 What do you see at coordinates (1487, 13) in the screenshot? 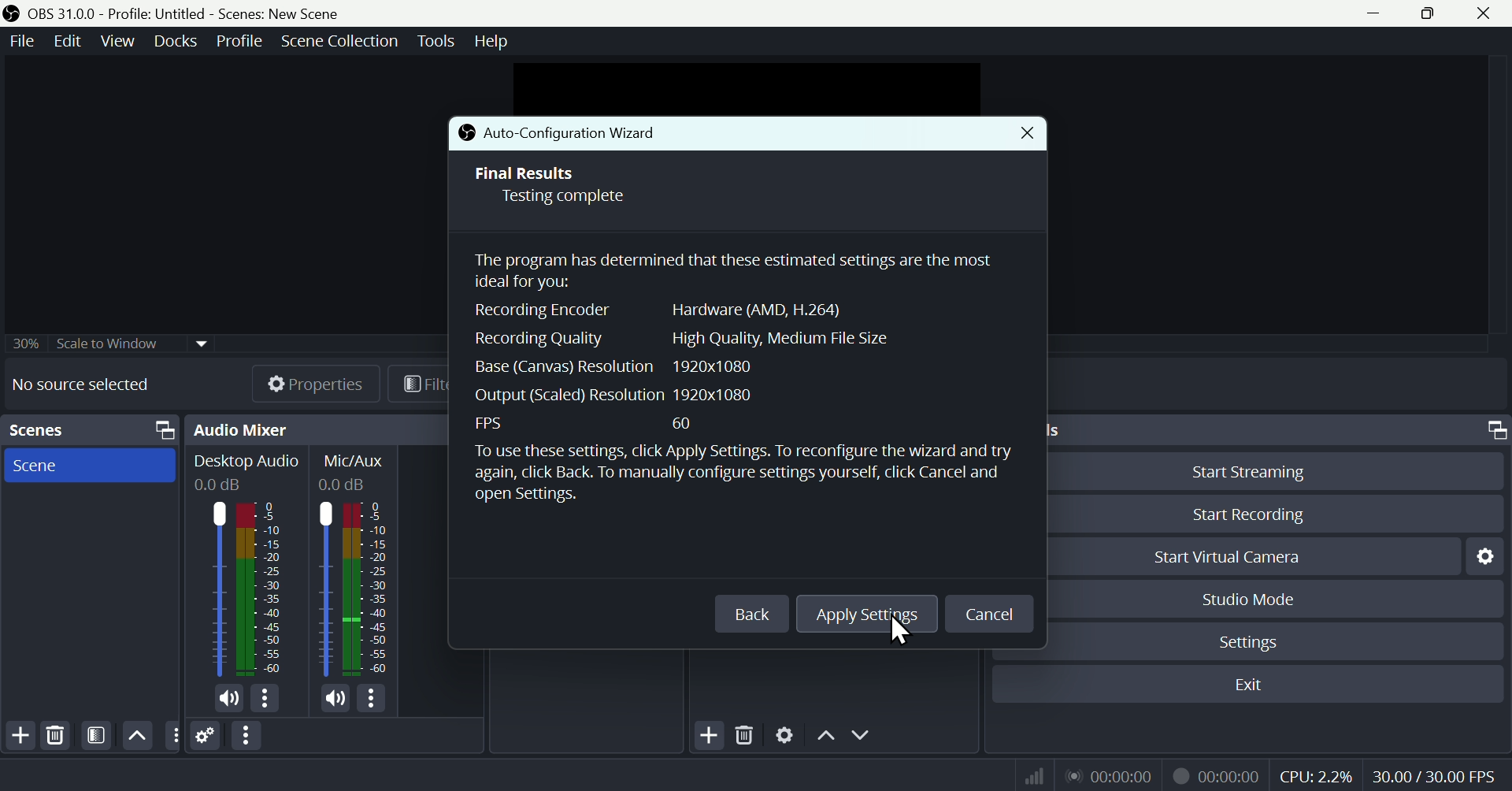
I see `close` at bounding box center [1487, 13].